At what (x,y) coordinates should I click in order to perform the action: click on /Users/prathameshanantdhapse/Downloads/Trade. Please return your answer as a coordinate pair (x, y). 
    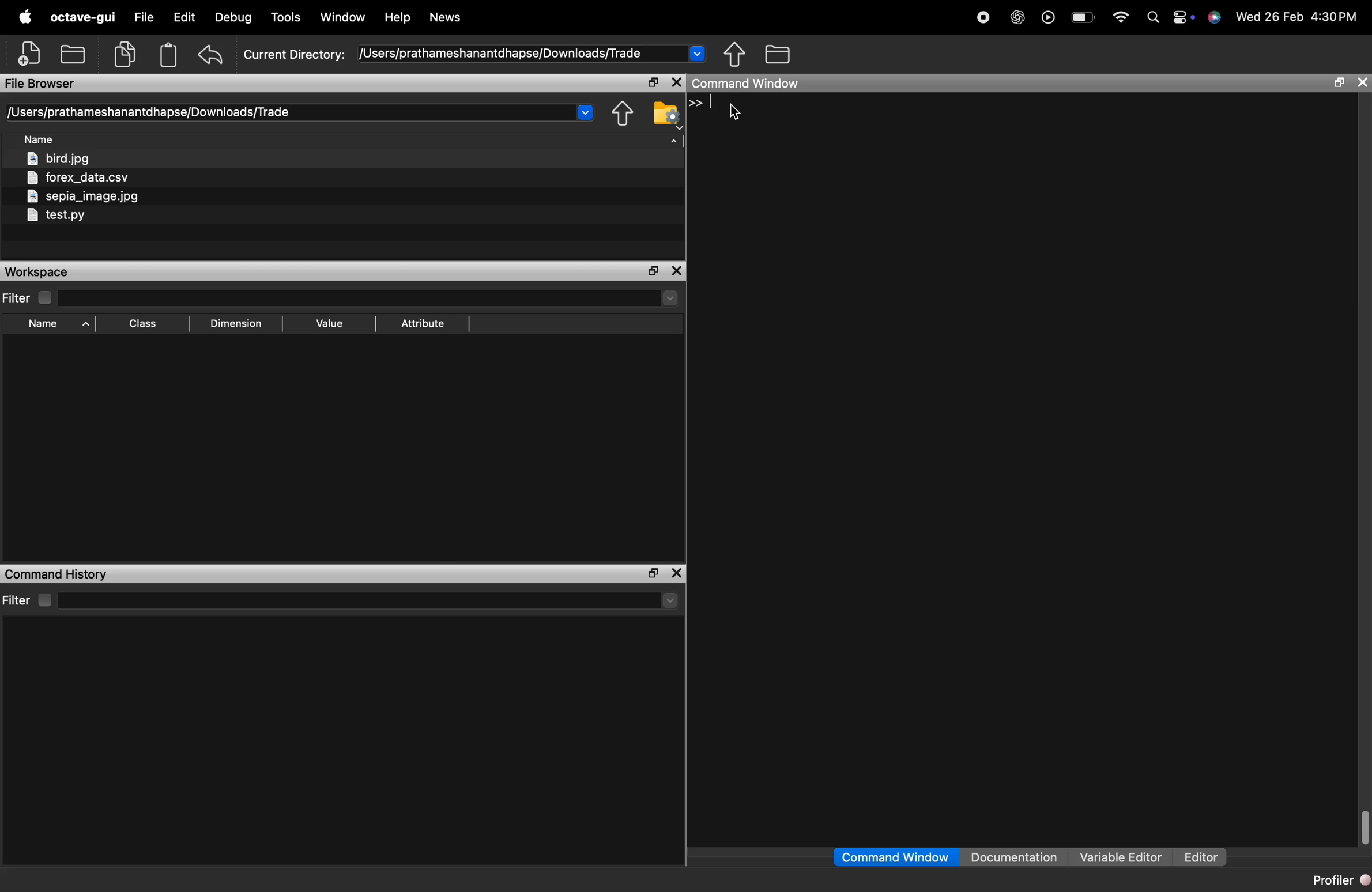
    Looking at the image, I should click on (504, 53).